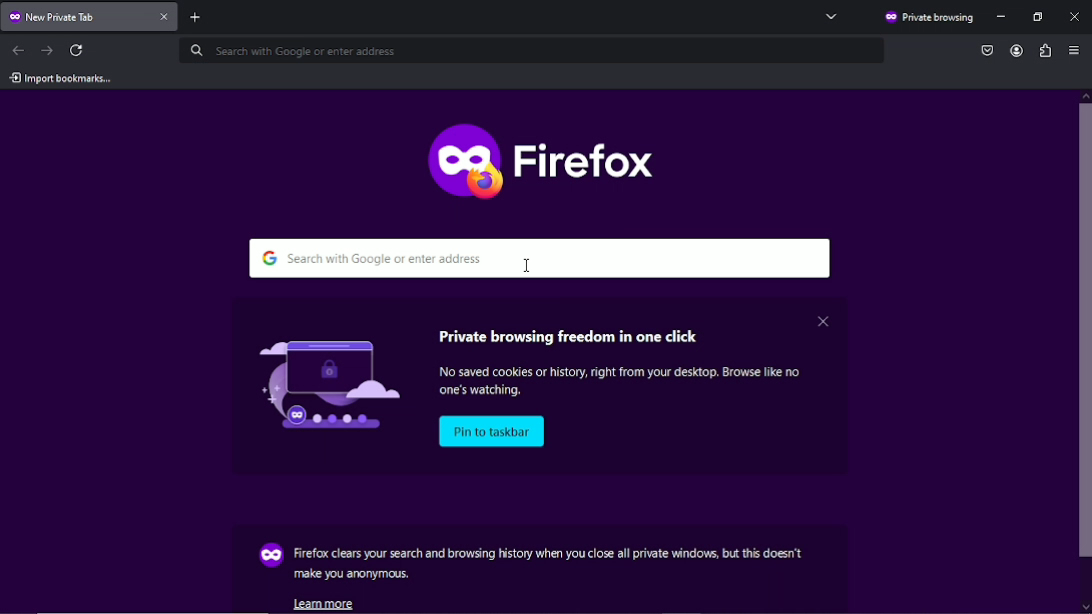 Image resolution: width=1092 pixels, height=614 pixels. What do you see at coordinates (269, 556) in the screenshot?
I see `icon` at bounding box center [269, 556].